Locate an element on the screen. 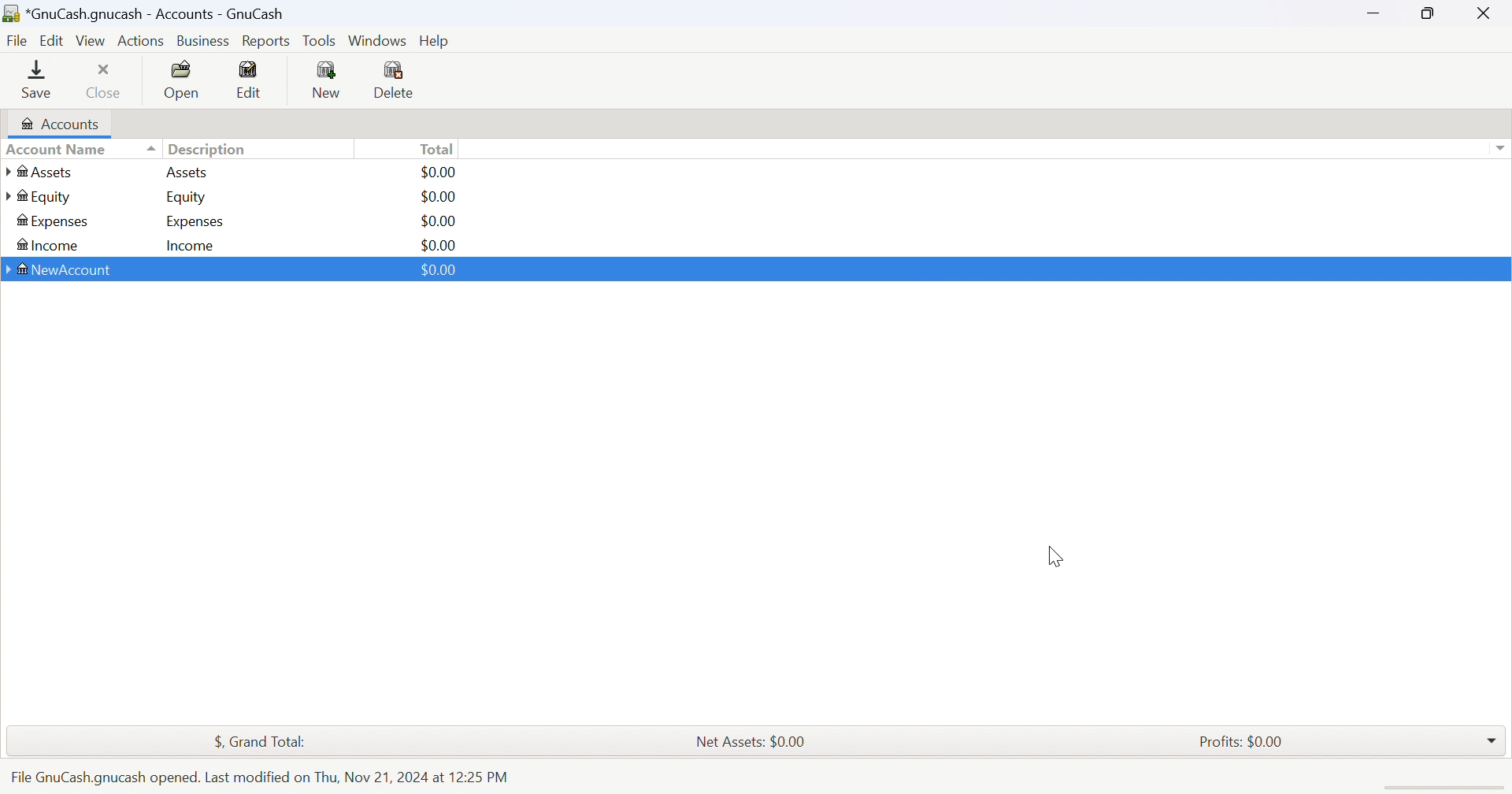  Reports is located at coordinates (265, 42).